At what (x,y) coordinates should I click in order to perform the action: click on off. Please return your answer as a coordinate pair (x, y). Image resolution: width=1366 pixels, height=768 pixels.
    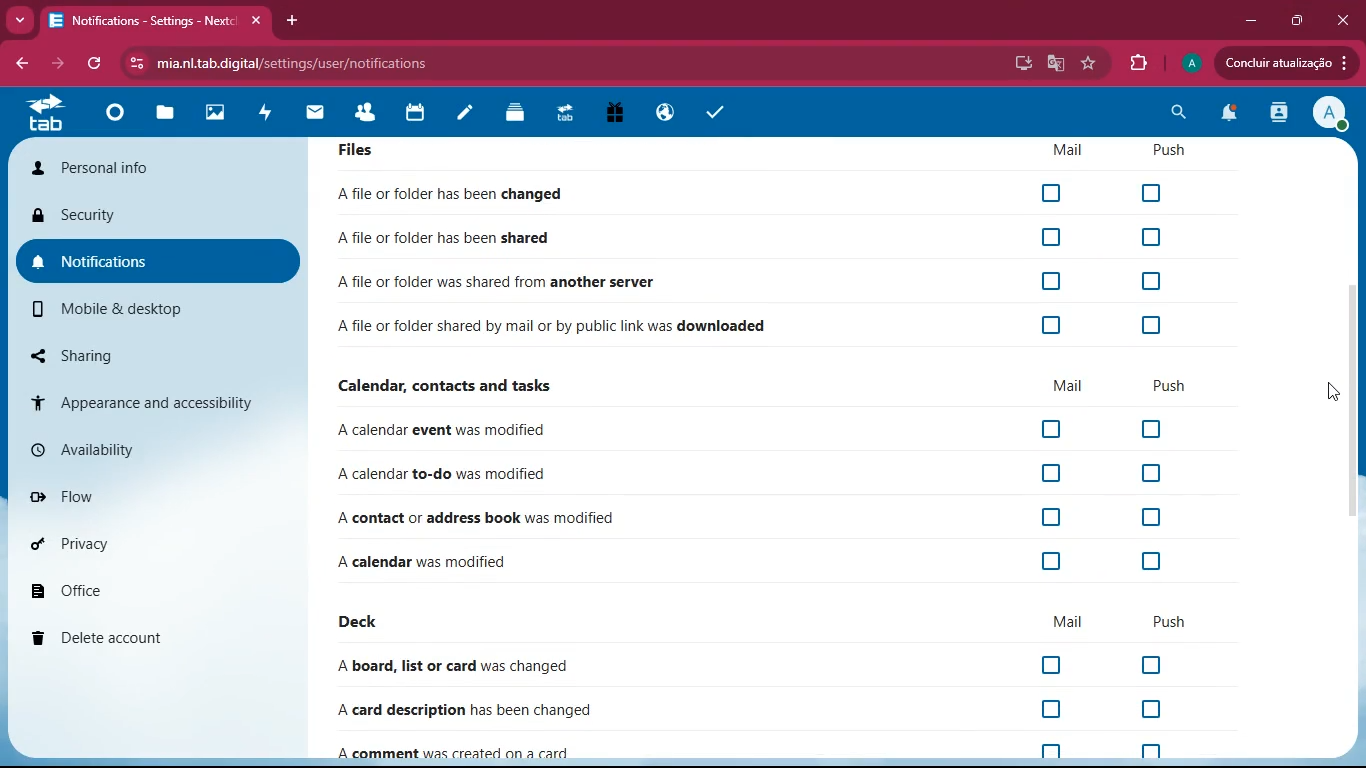
    Looking at the image, I should click on (1048, 748).